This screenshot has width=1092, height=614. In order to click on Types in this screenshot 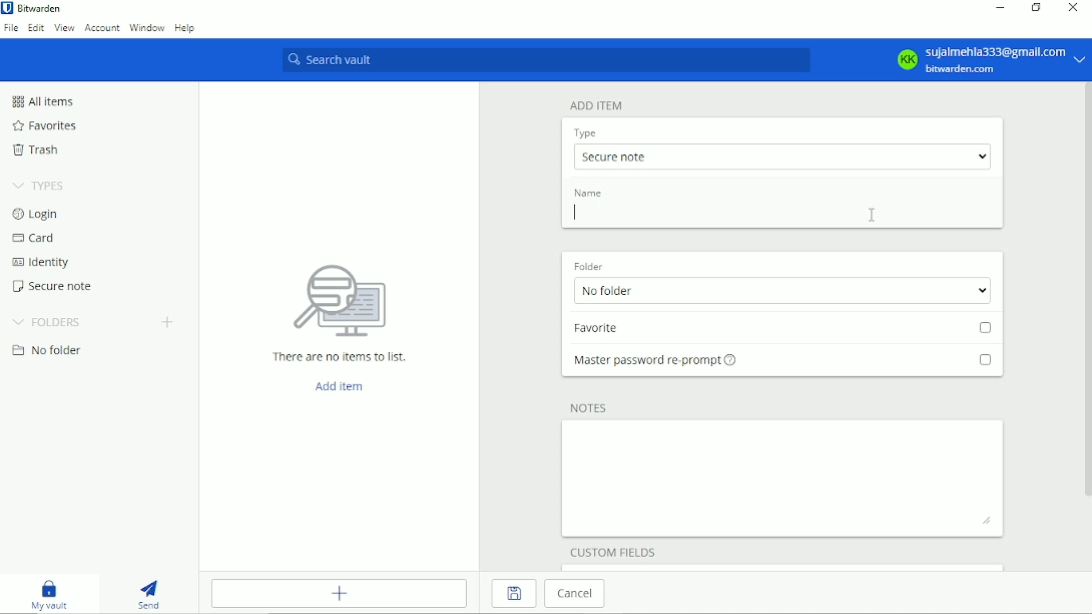, I will do `click(40, 185)`.